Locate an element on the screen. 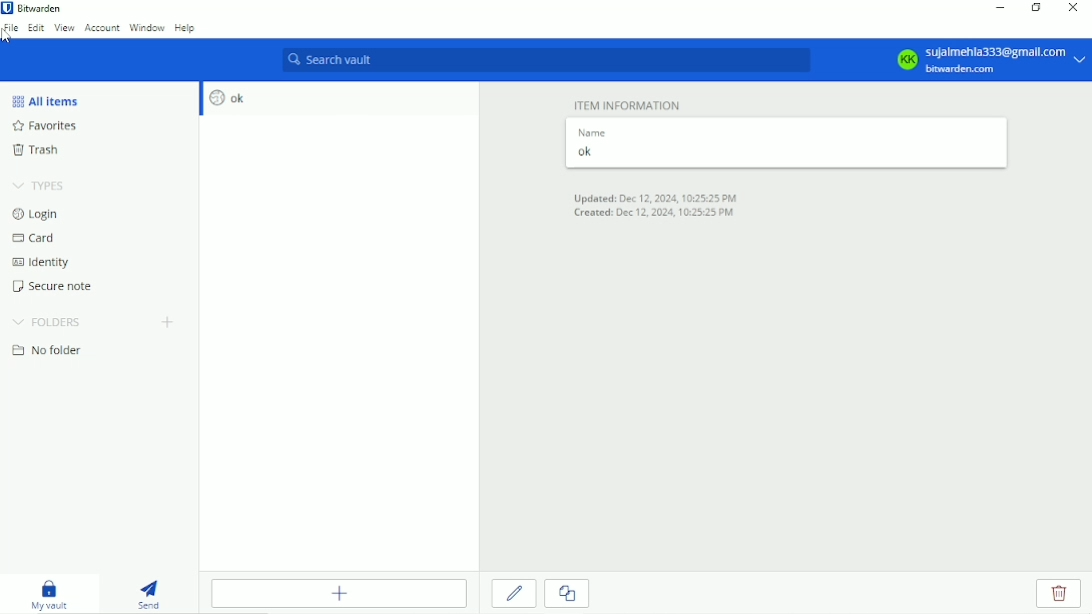  Secure note is located at coordinates (62, 289).